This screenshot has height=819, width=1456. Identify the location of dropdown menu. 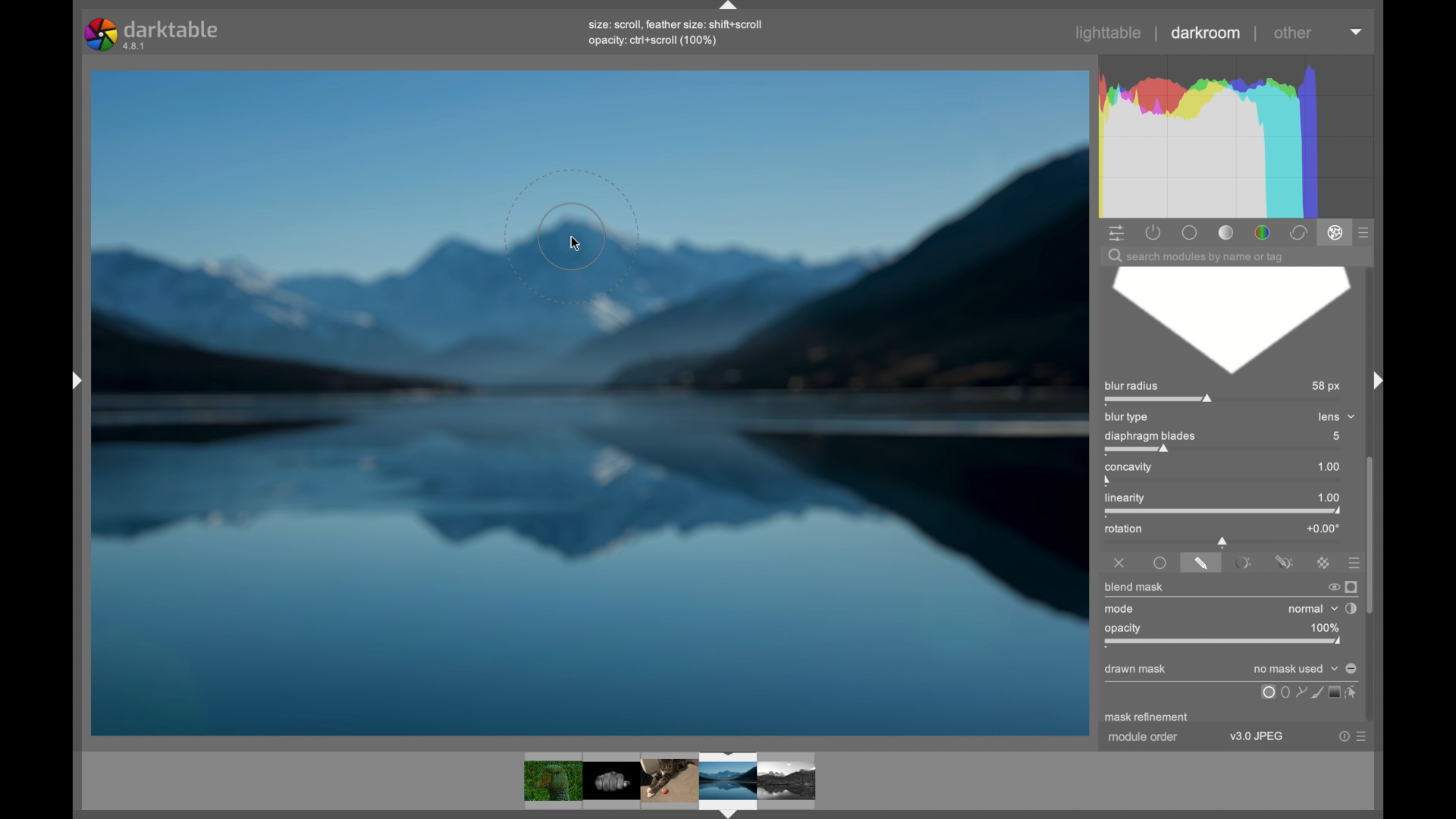
(1357, 33).